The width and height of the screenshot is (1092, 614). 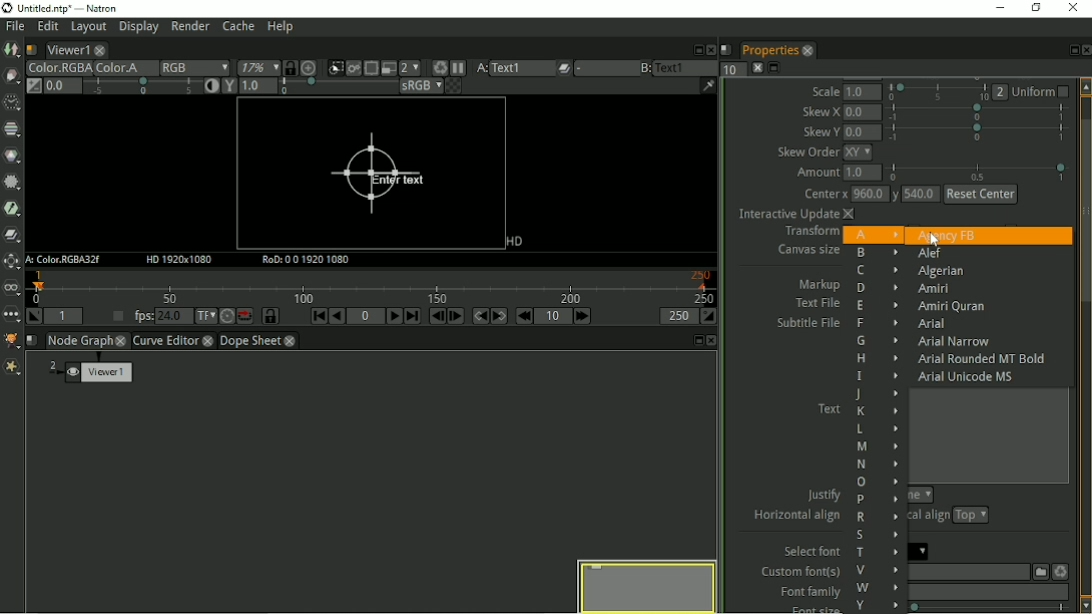 What do you see at coordinates (876, 429) in the screenshot?
I see `L` at bounding box center [876, 429].